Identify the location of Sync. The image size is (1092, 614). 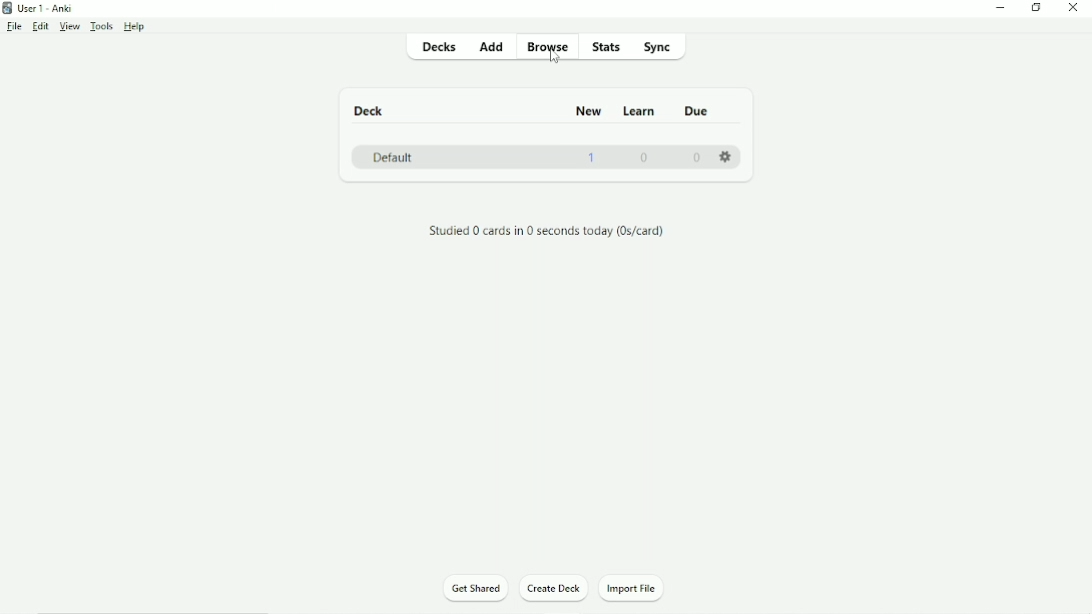
(663, 47).